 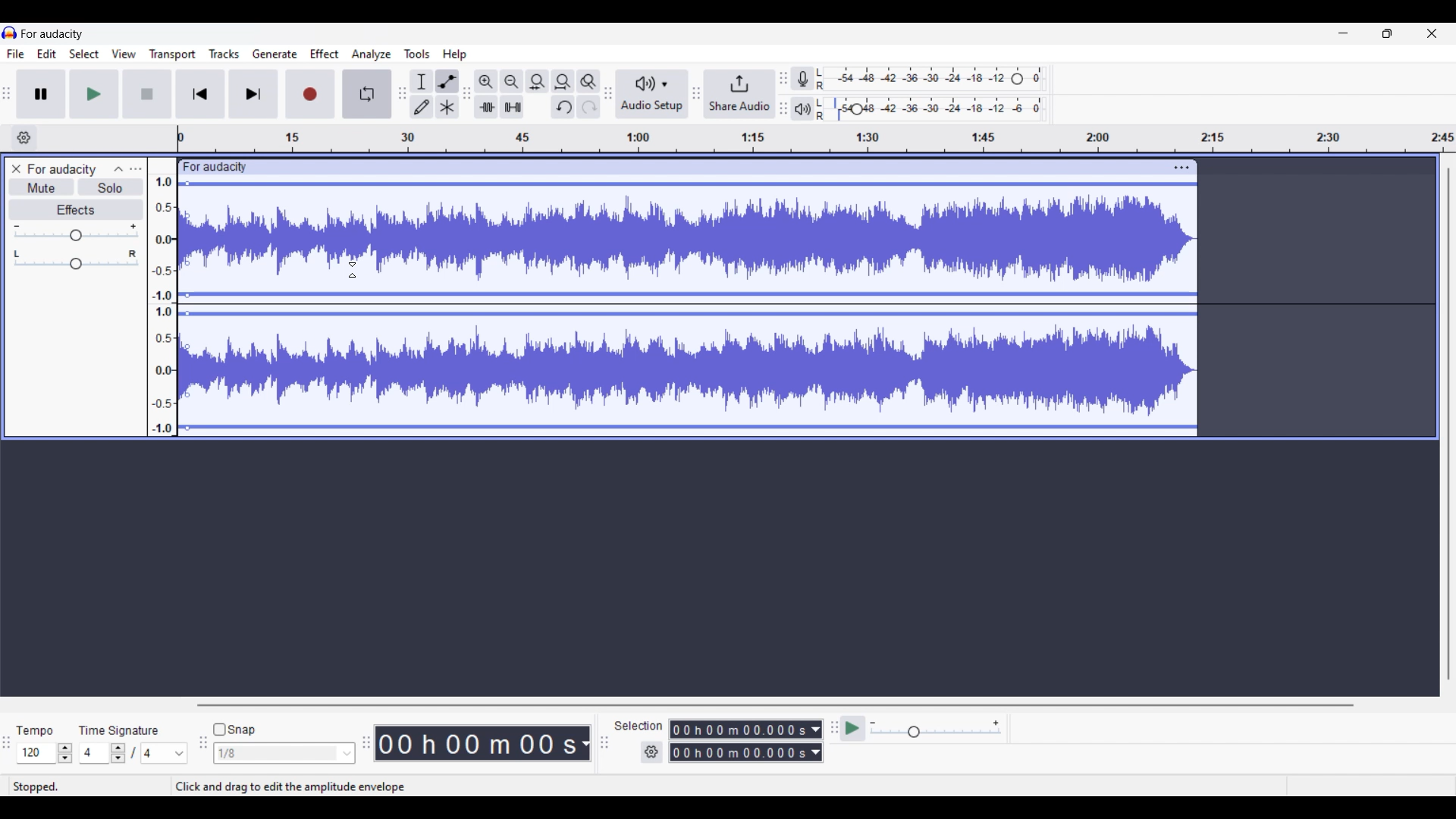 What do you see at coordinates (75, 260) in the screenshot?
I see `Pan slider` at bounding box center [75, 260].